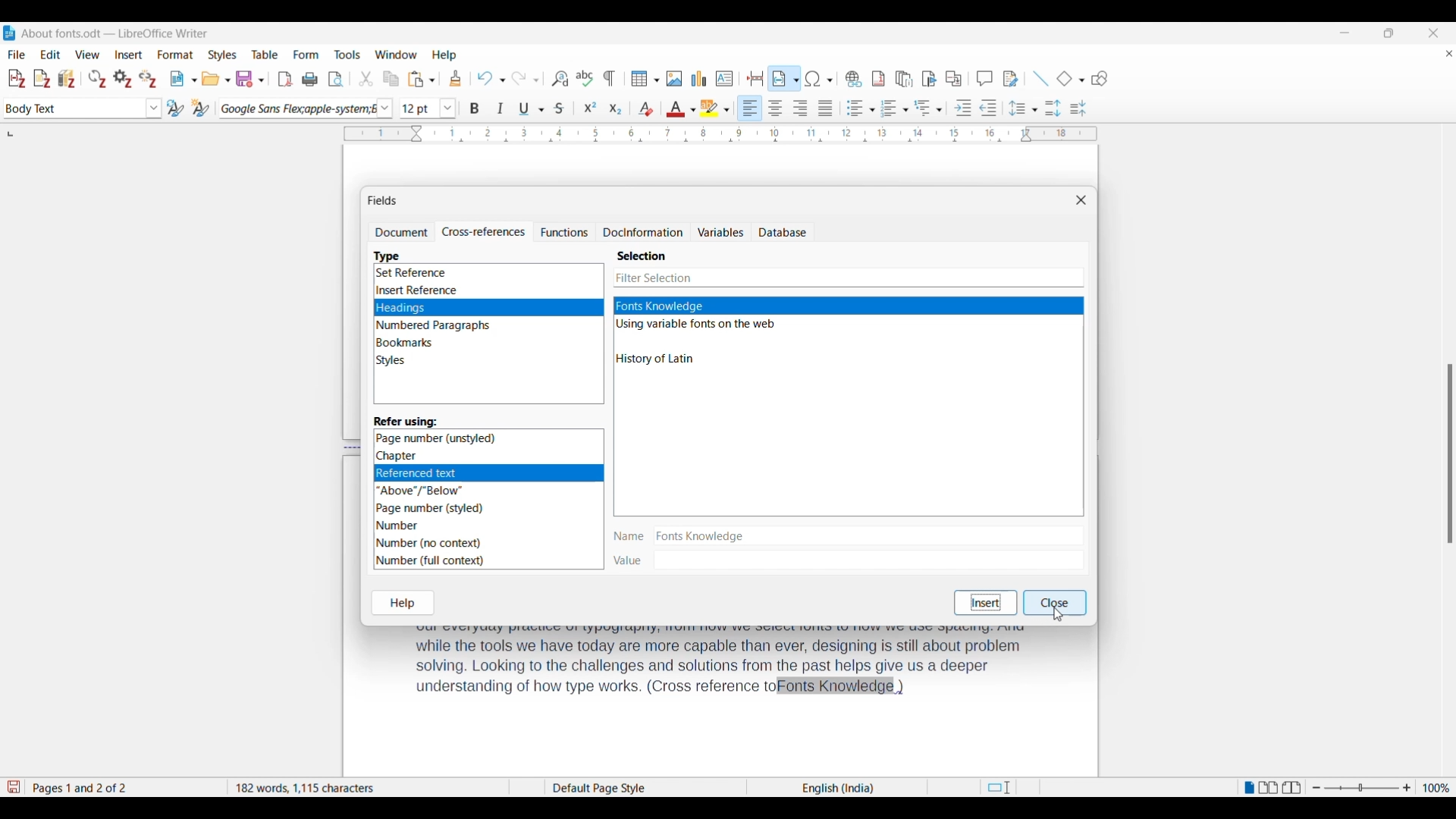  I want to click on Numbered Paragraphs, so click(434, 326).